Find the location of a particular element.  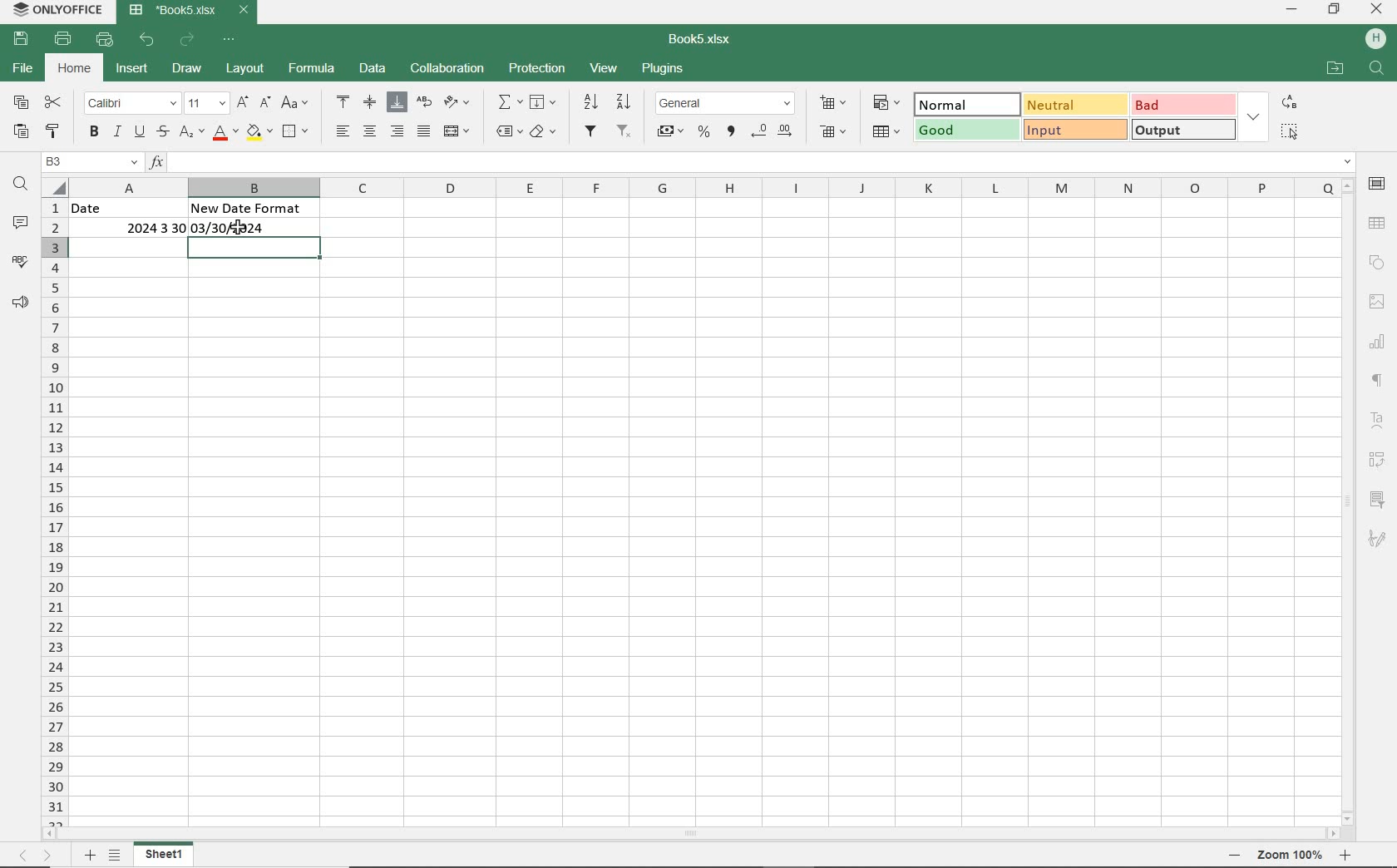

OPEN FILE LOCATION is located at coordinates (1336, 70).